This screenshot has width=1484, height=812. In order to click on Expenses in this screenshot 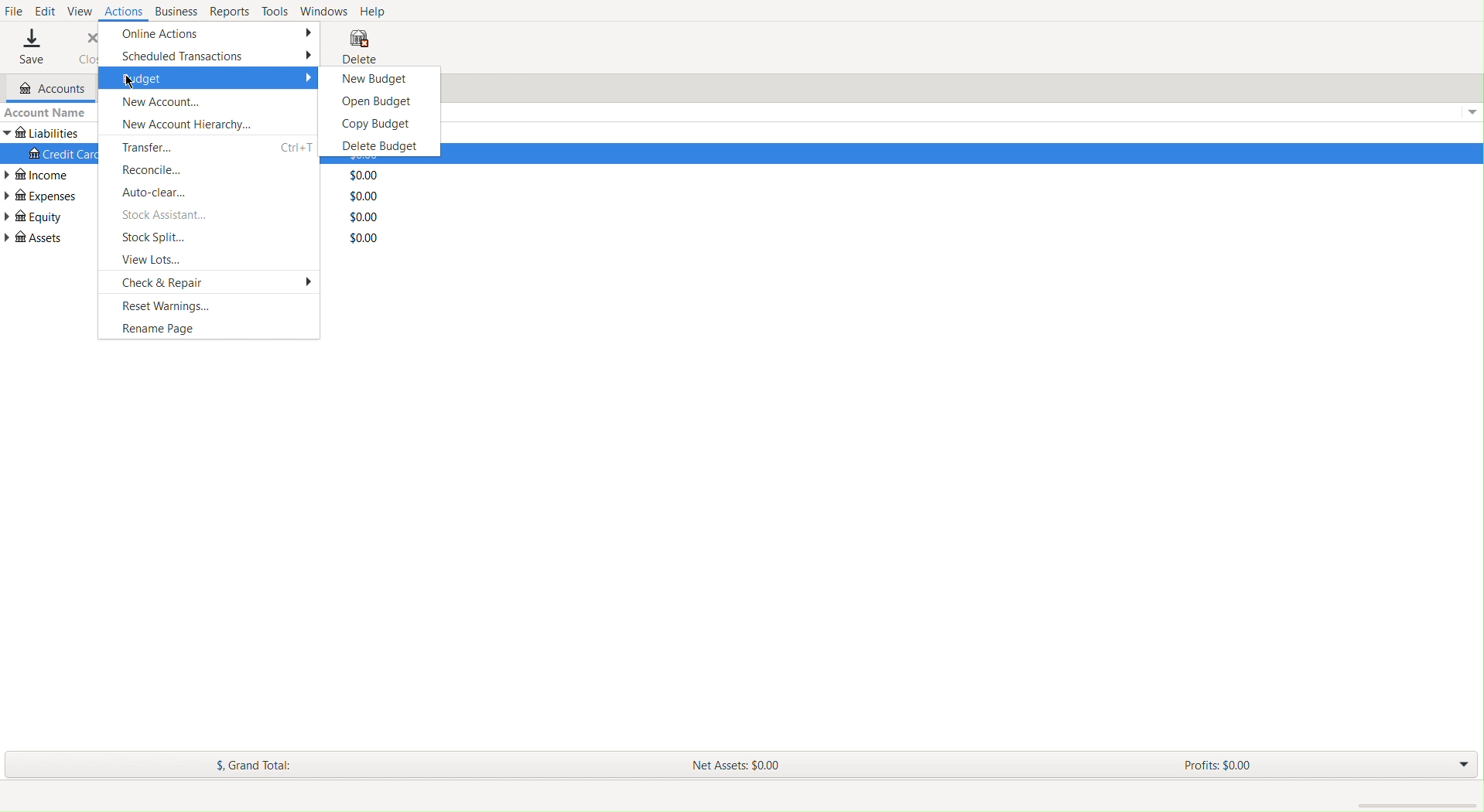, I will do `click(43, 196)`.